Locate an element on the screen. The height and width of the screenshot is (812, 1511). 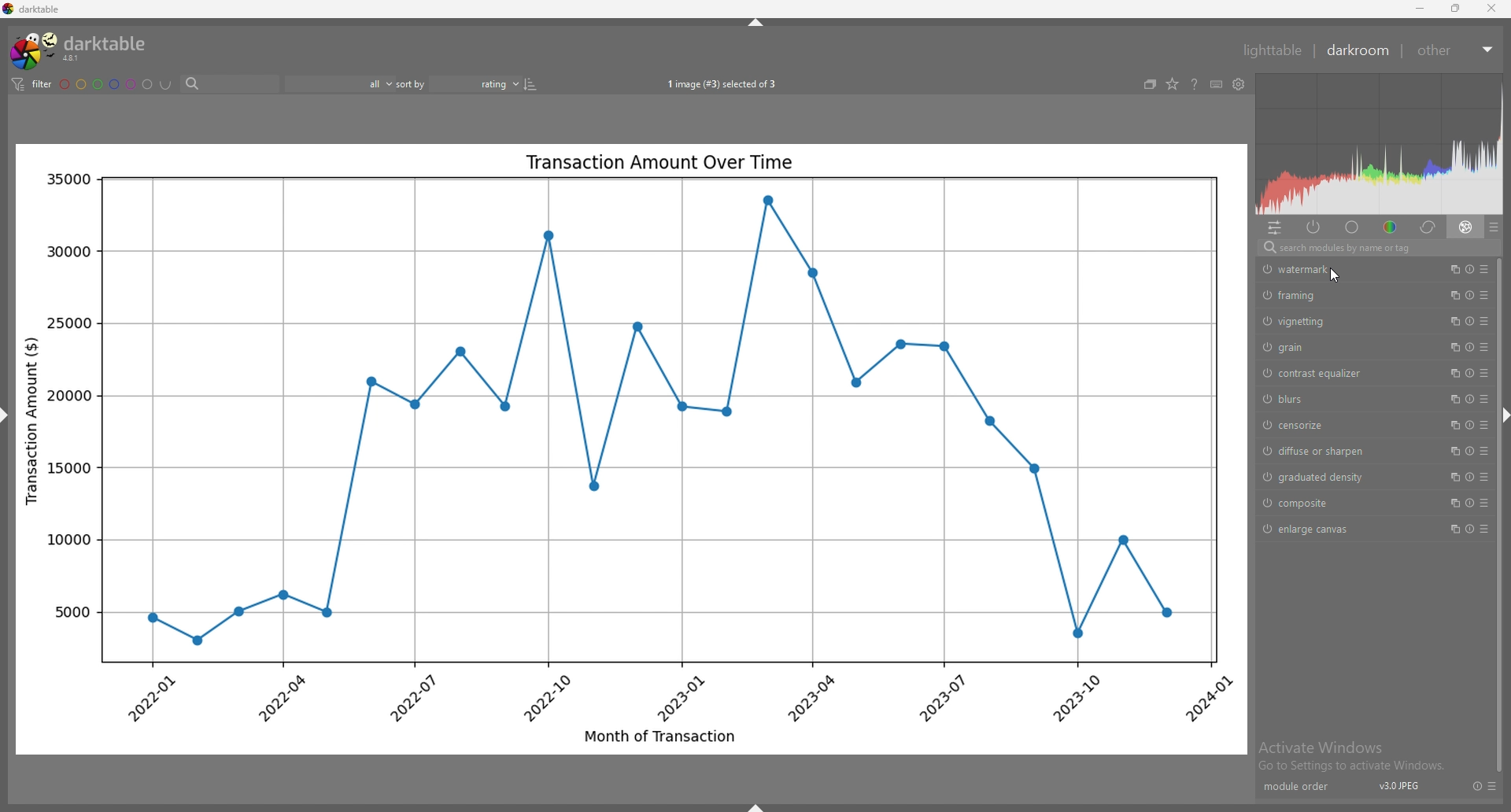
multiple instances action is located at coordinates (1453, 295).